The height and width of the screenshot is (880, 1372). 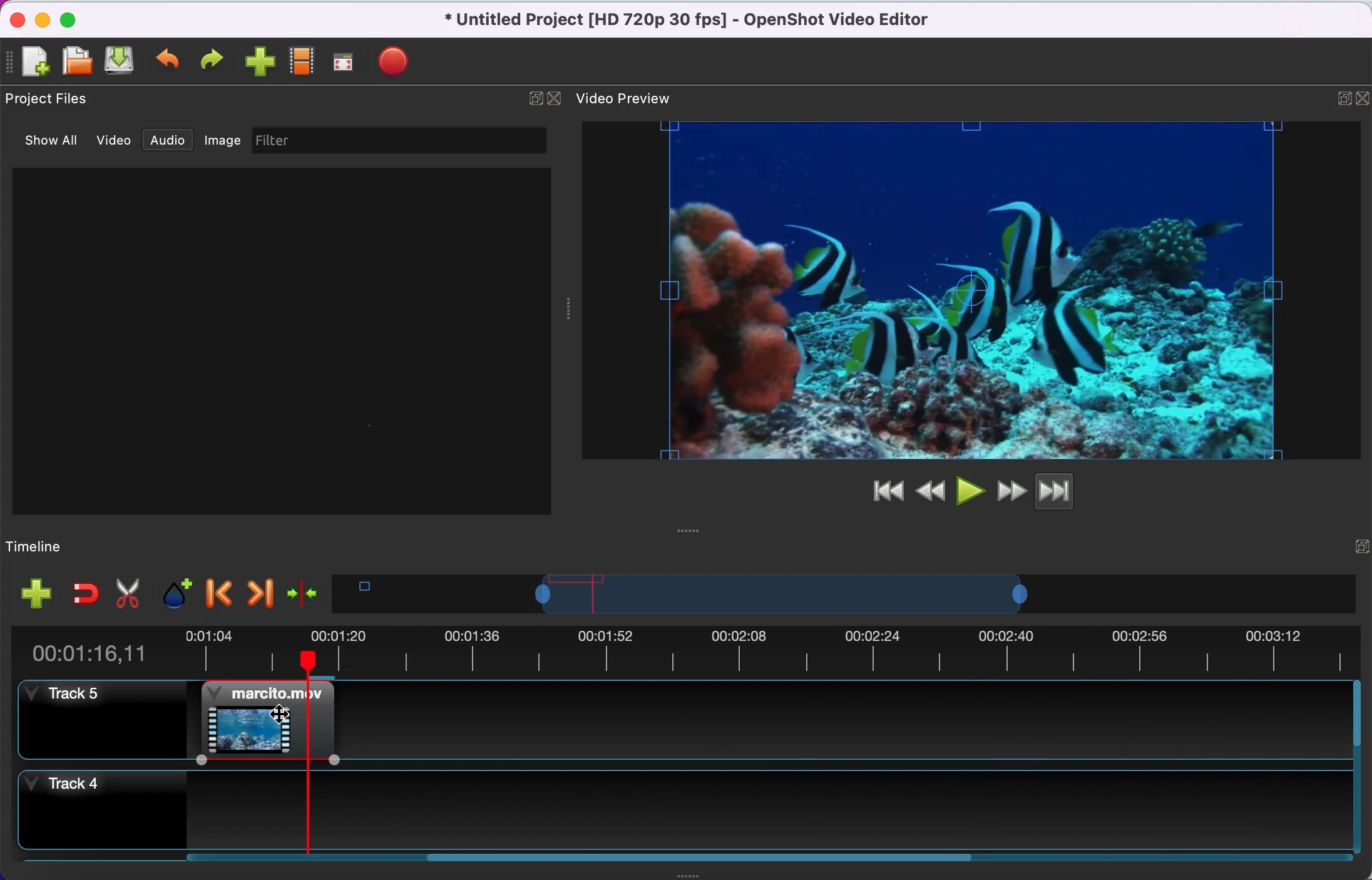 I want to click on filter, so click(x=417, y=140).